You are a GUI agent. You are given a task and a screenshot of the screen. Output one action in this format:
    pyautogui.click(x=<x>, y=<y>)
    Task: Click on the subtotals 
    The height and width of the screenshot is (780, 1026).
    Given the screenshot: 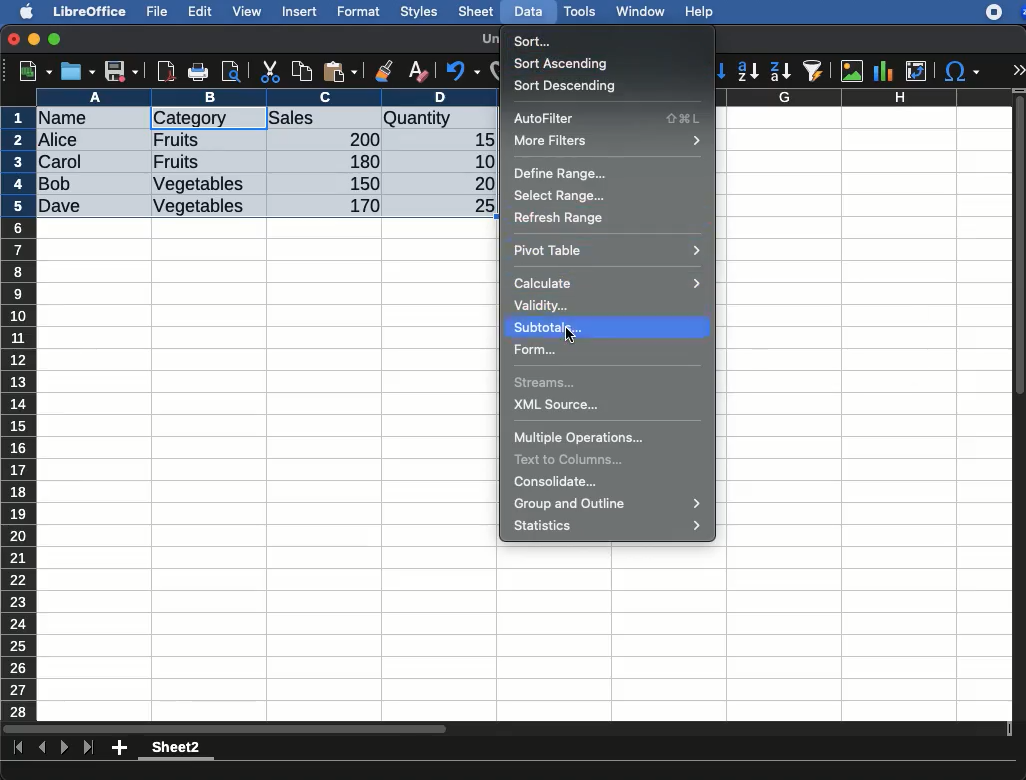 What is the action you would take?
    pyautogui.click(x=552, y=327)
    